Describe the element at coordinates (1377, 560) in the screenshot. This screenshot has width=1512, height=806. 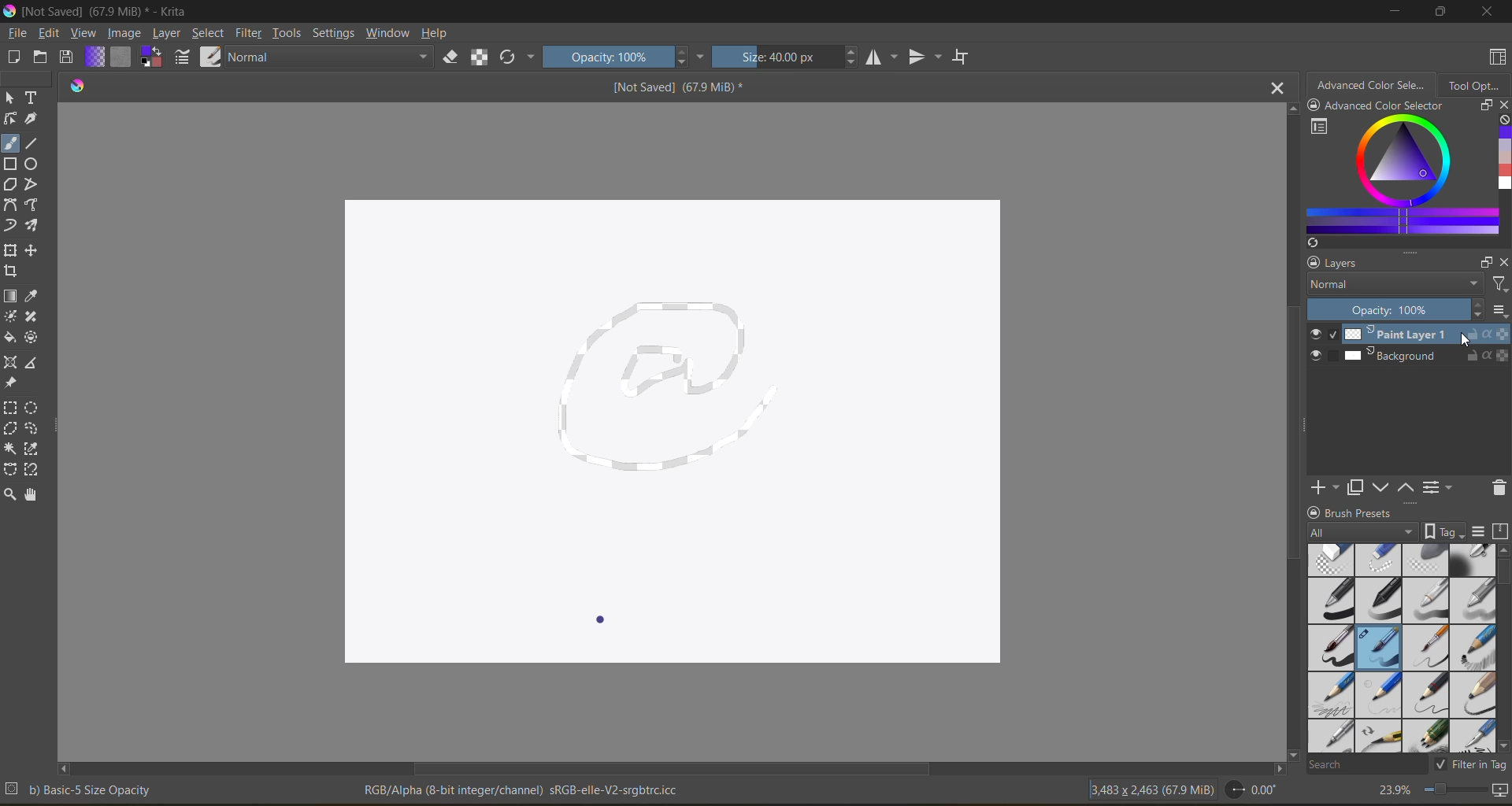
I see `thin eraser` at that location.